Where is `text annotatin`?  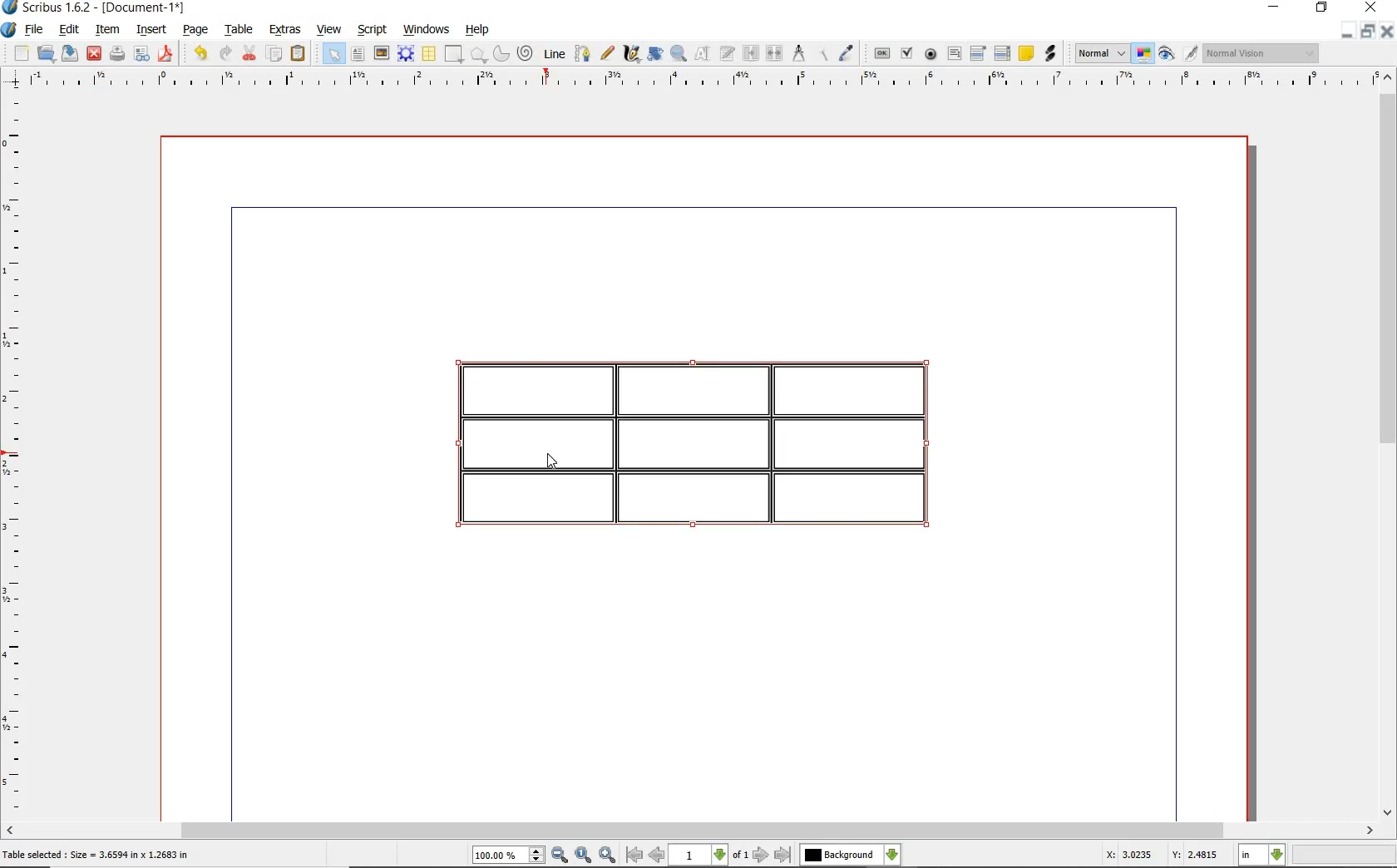 text annotatin is located at coordinates (1026, 52).